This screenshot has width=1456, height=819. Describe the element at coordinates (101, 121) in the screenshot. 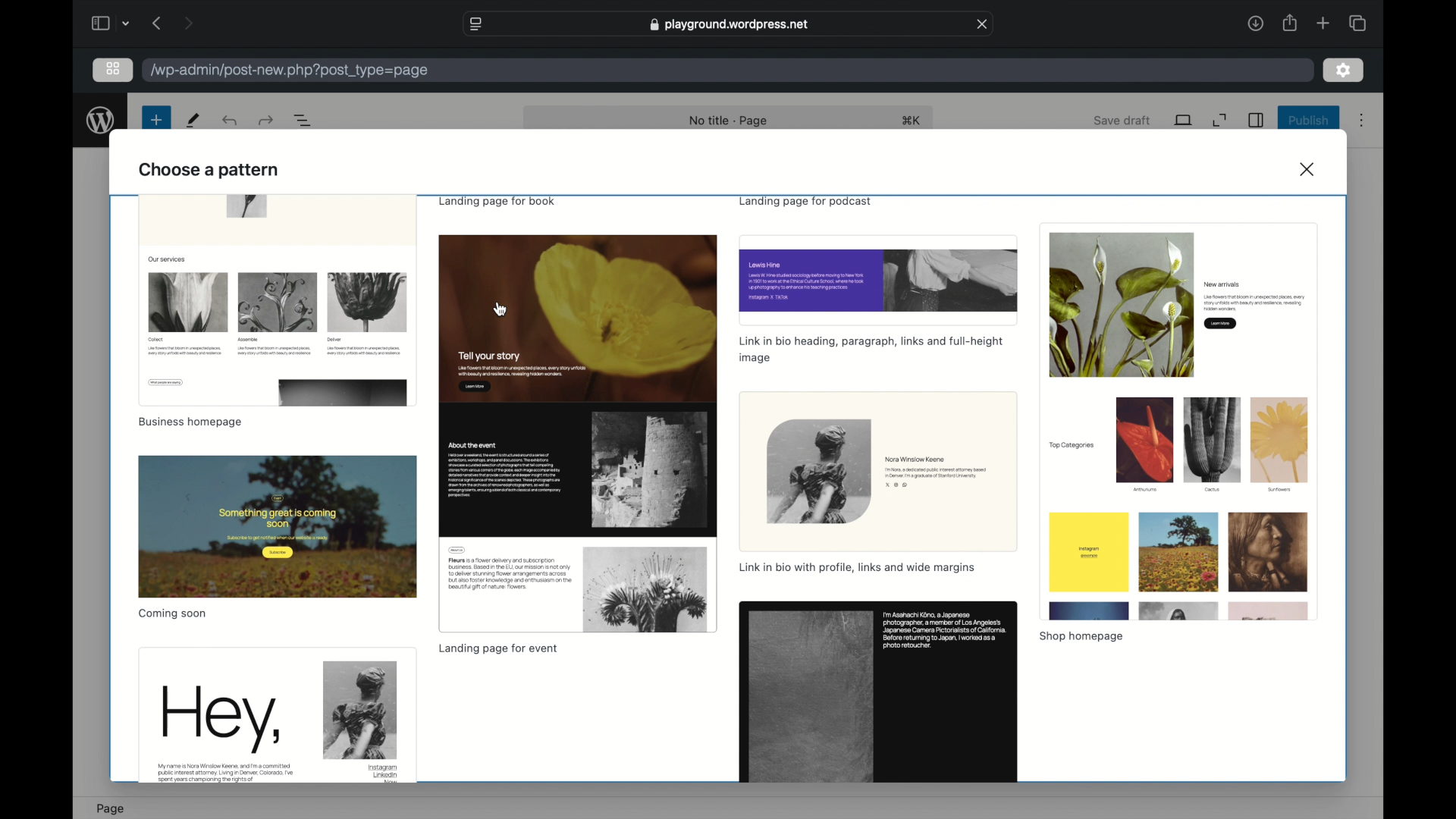

I see `wordpress` at that location.